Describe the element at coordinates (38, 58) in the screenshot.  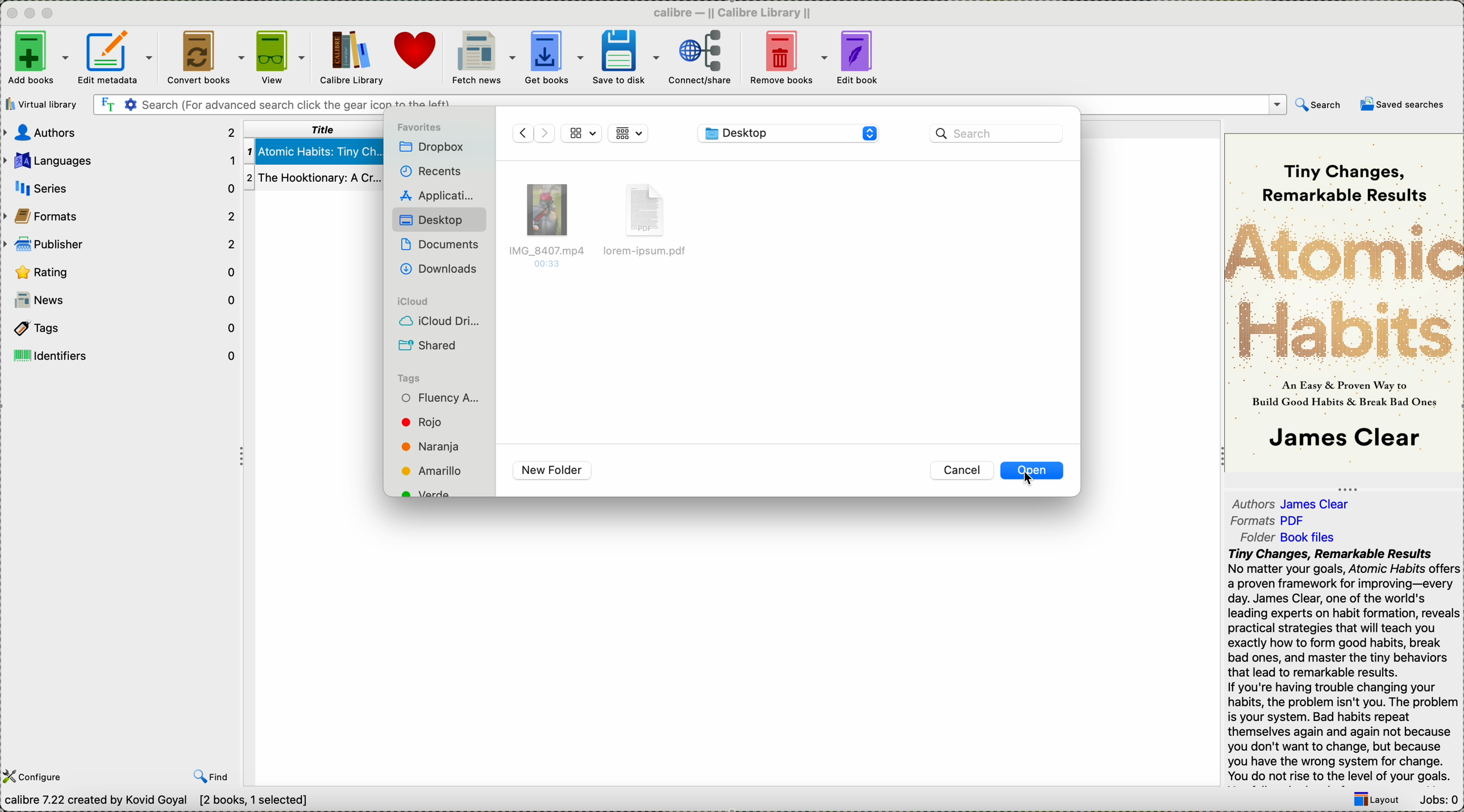
I see `add books` at that location.